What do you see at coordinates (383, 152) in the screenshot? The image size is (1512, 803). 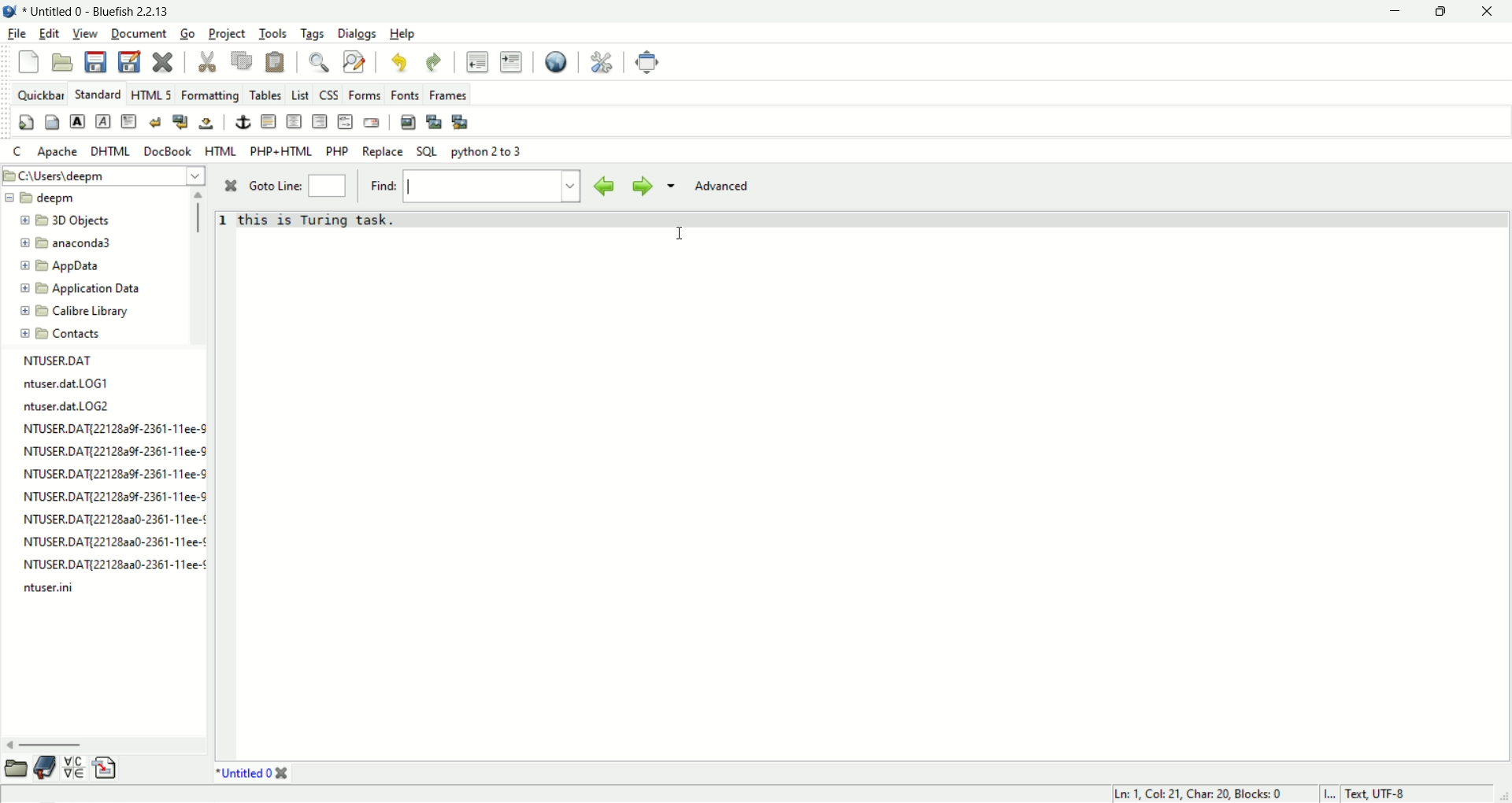 I see `Replace` at bounding box center [383, 152].